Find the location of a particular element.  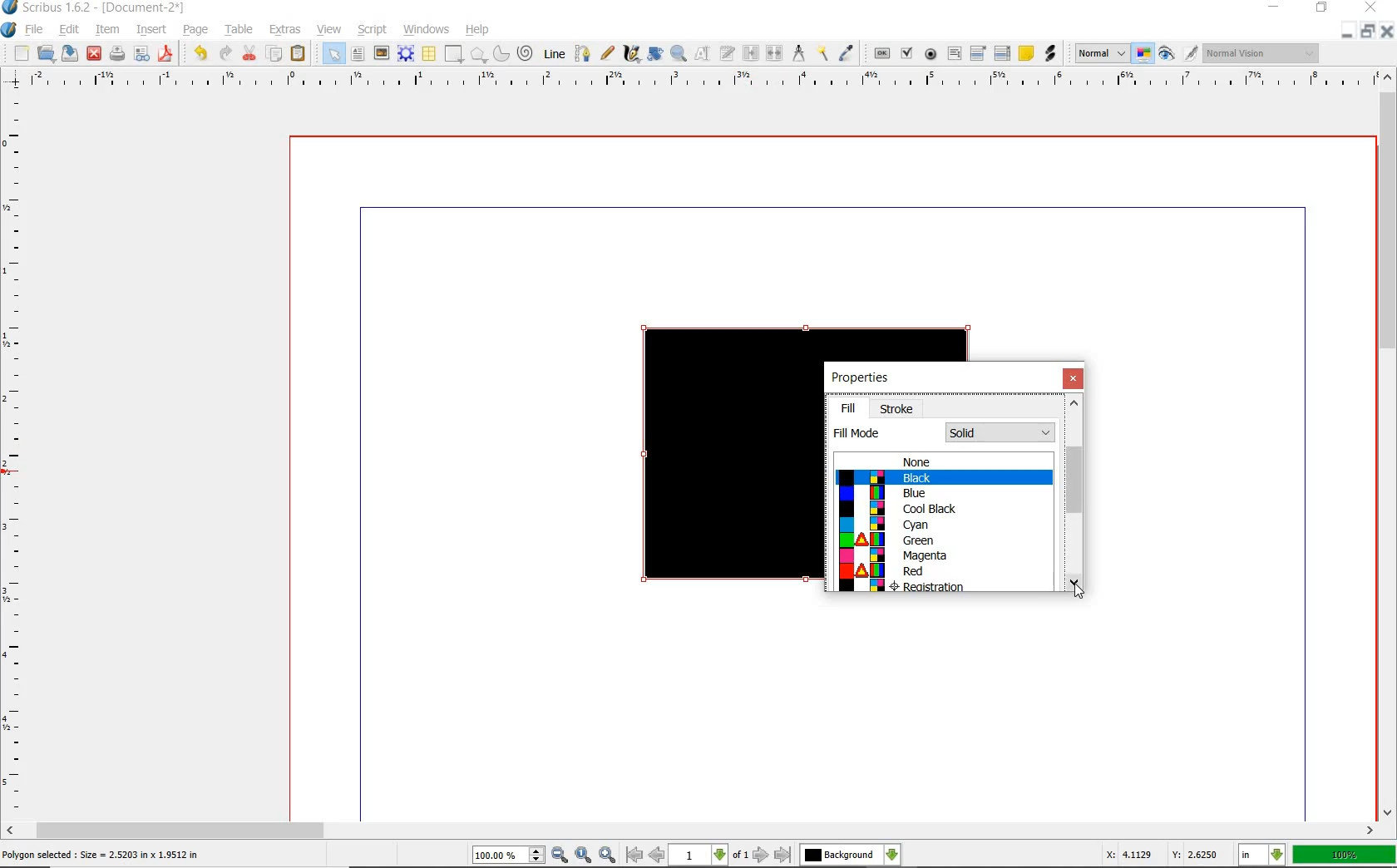

rotate item is located at coordinates (656, 53).